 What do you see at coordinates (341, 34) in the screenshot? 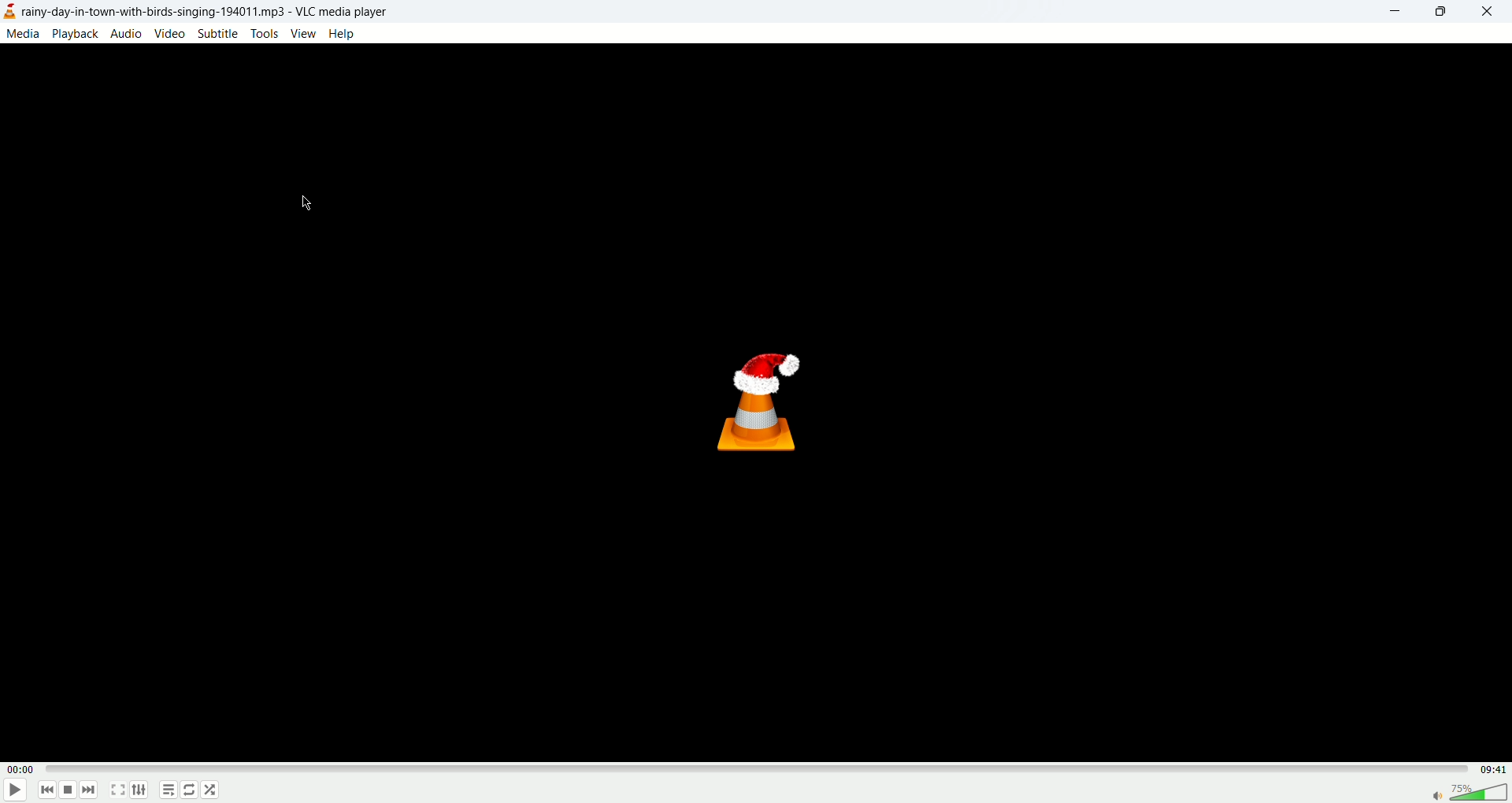
I see `help` at bounding box center [341, 34].